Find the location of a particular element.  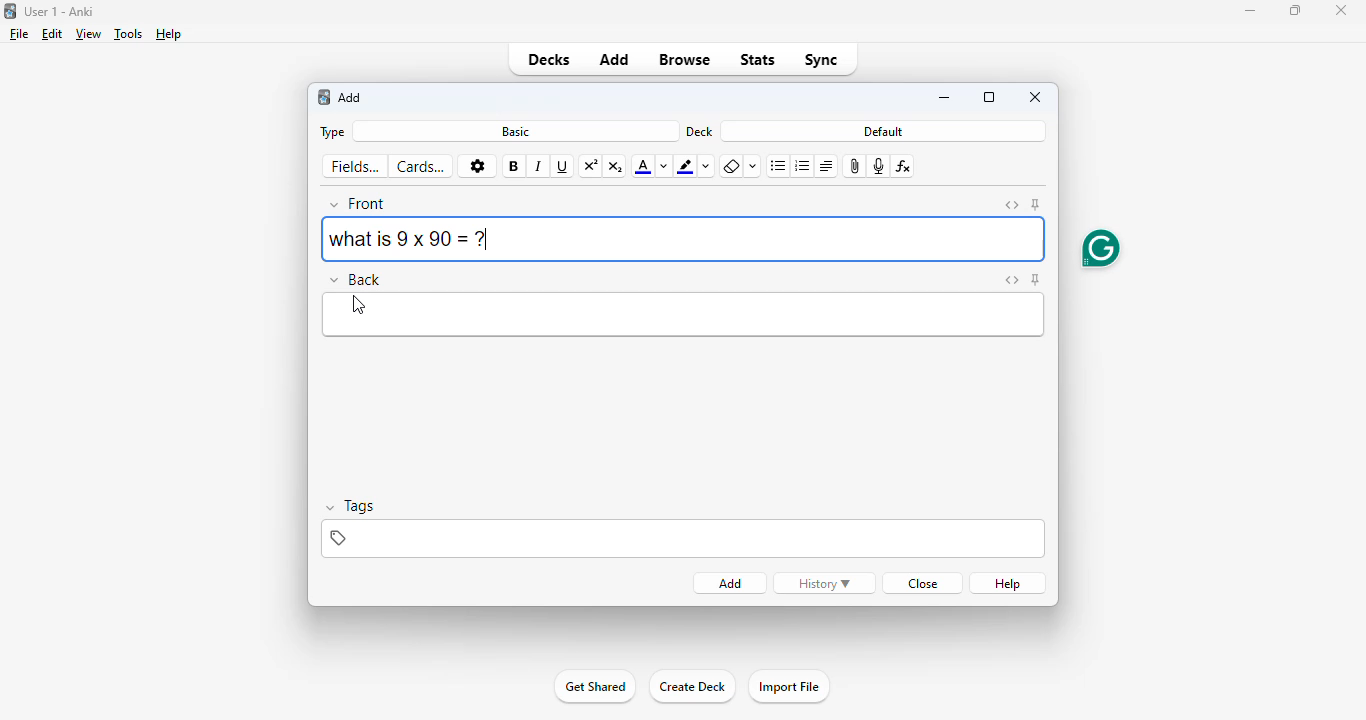

underline is located at coordinates (563, 167).